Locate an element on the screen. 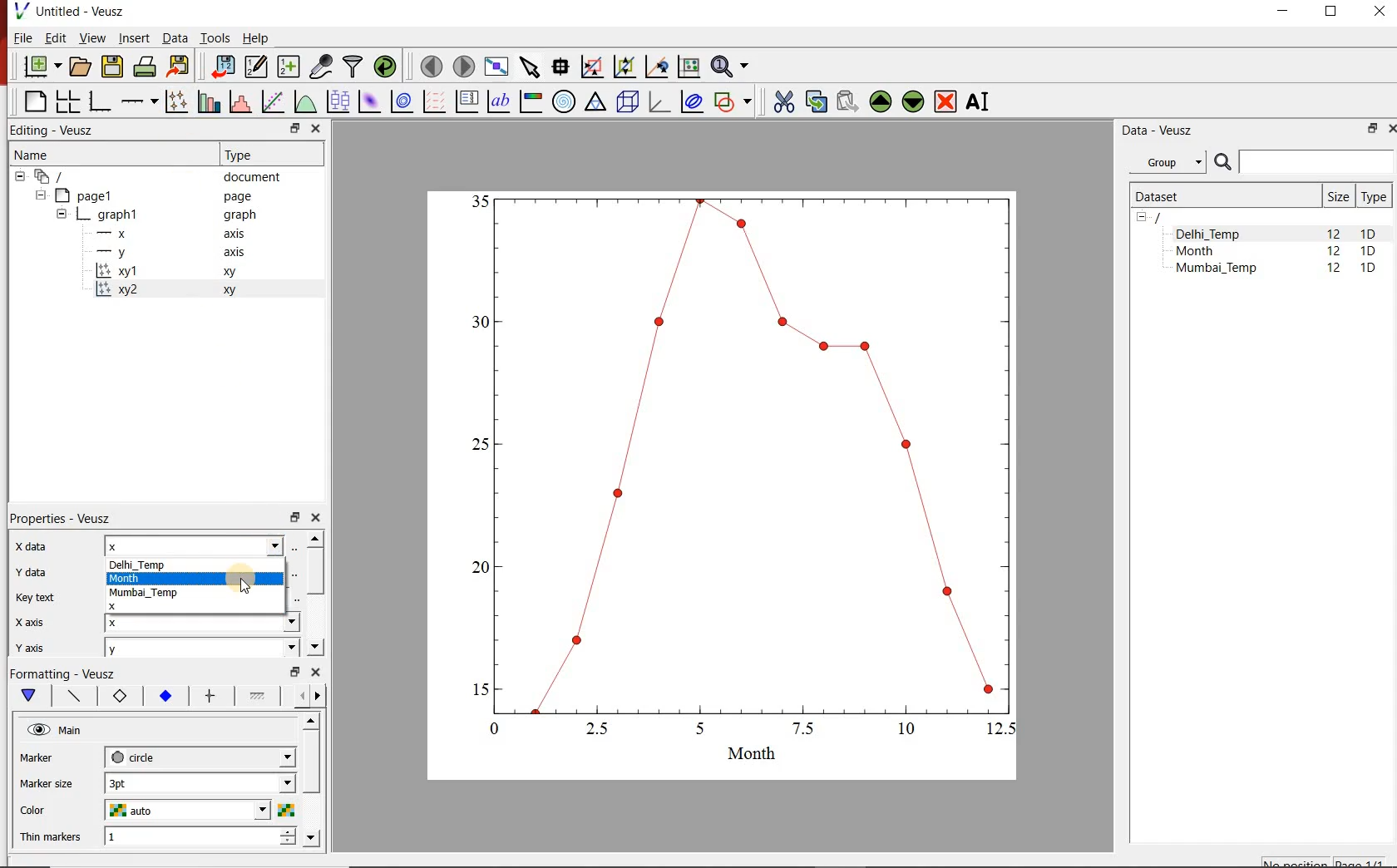 Image resolution: width=1397 pixels, height=868 pixels. Axis line is located at coordinates (72, 696).